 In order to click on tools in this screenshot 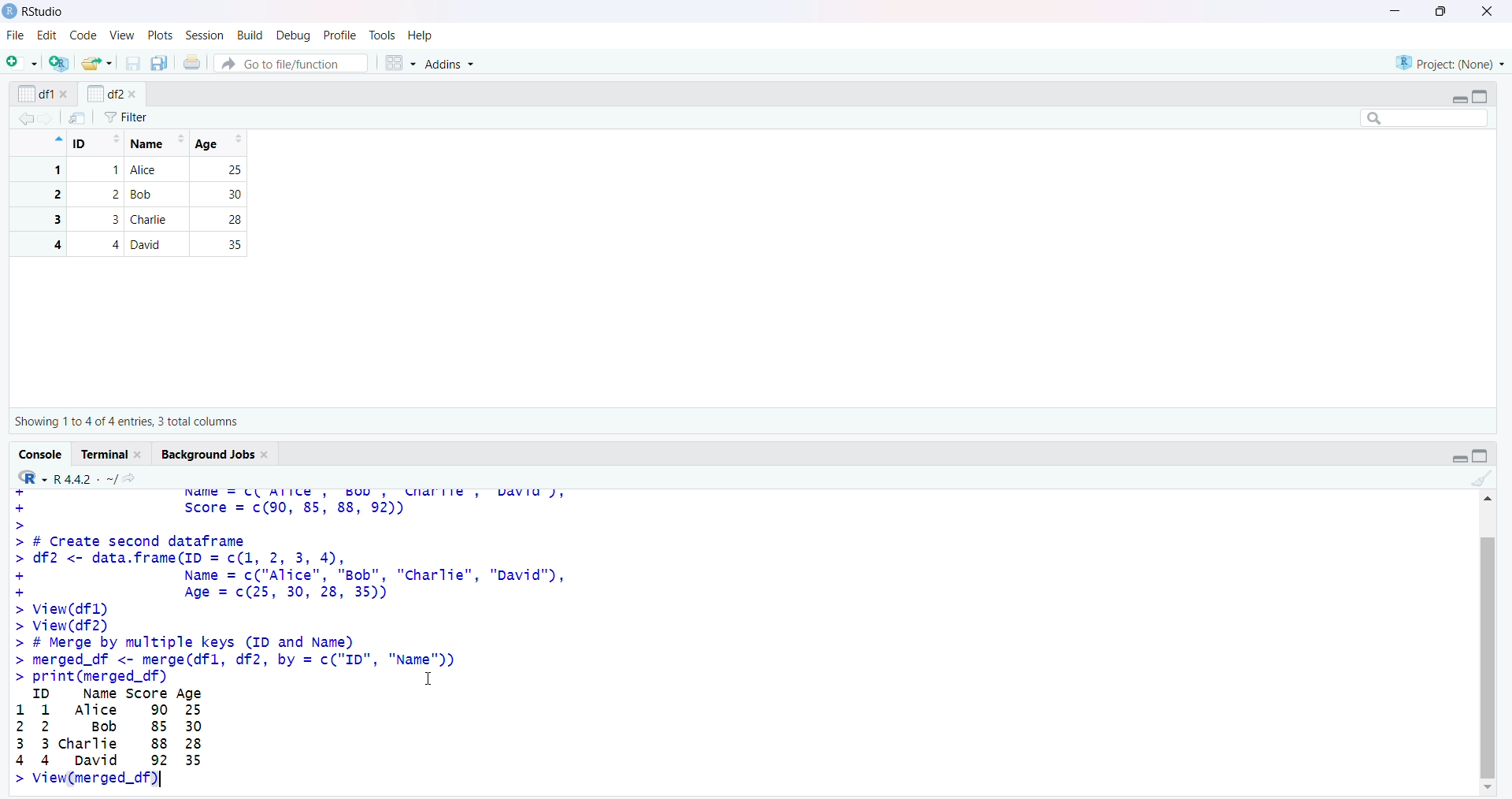, I will do `click(383, 35)`.